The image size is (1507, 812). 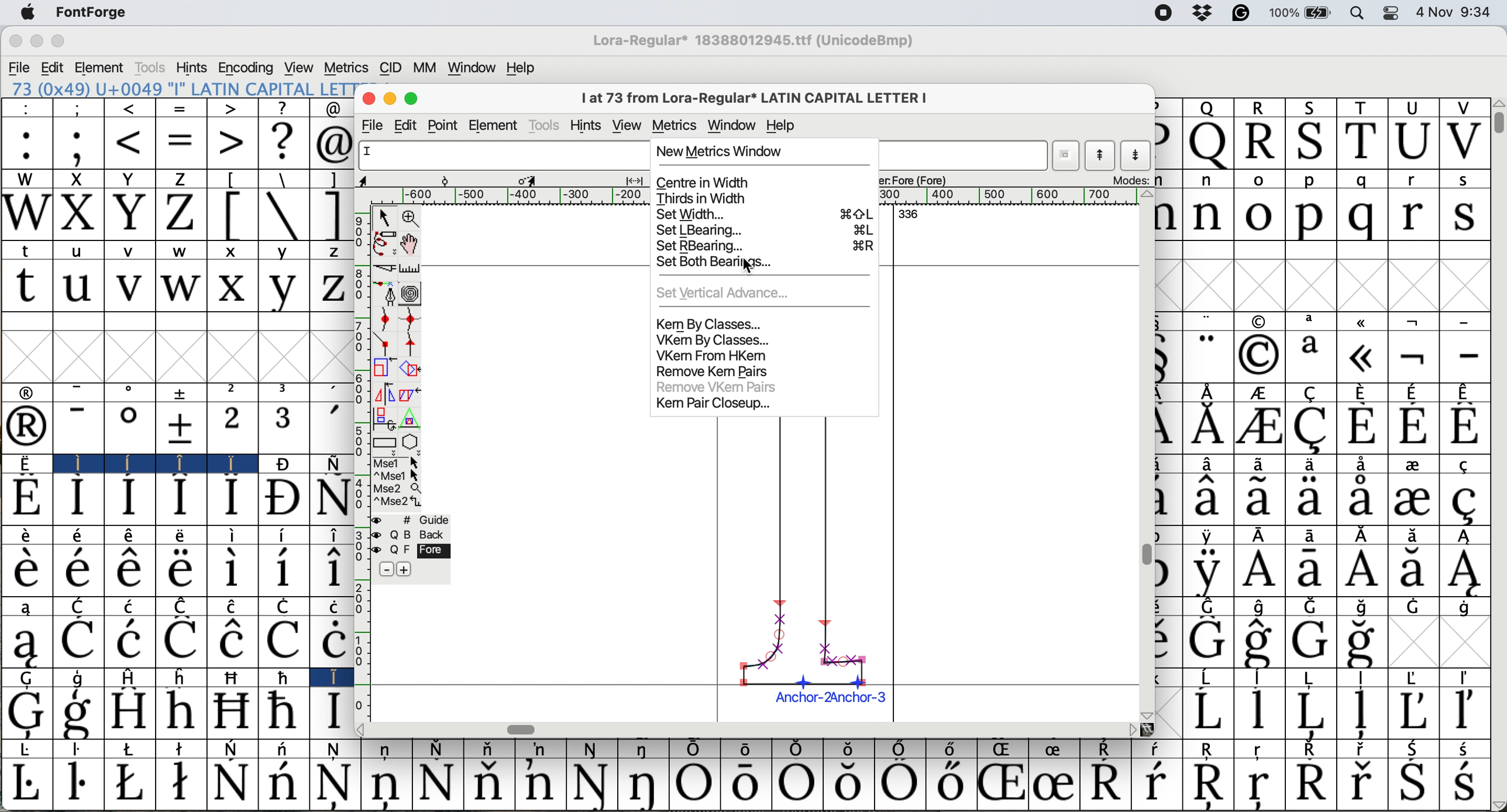 I want to click on Symbol, so click(x=1207, y=642).